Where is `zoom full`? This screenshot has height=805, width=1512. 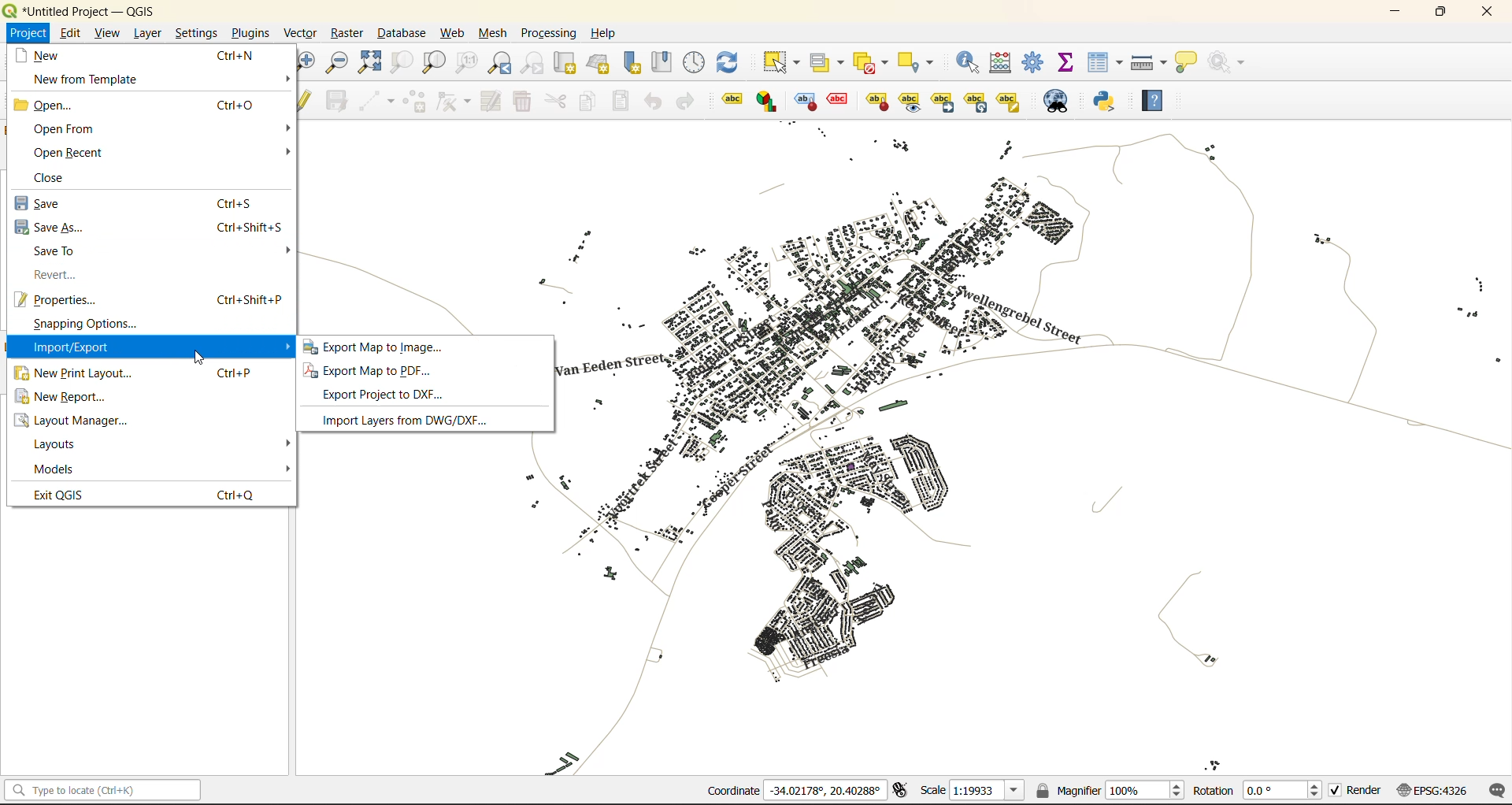
zoom full is located at coordinates (368, 63).